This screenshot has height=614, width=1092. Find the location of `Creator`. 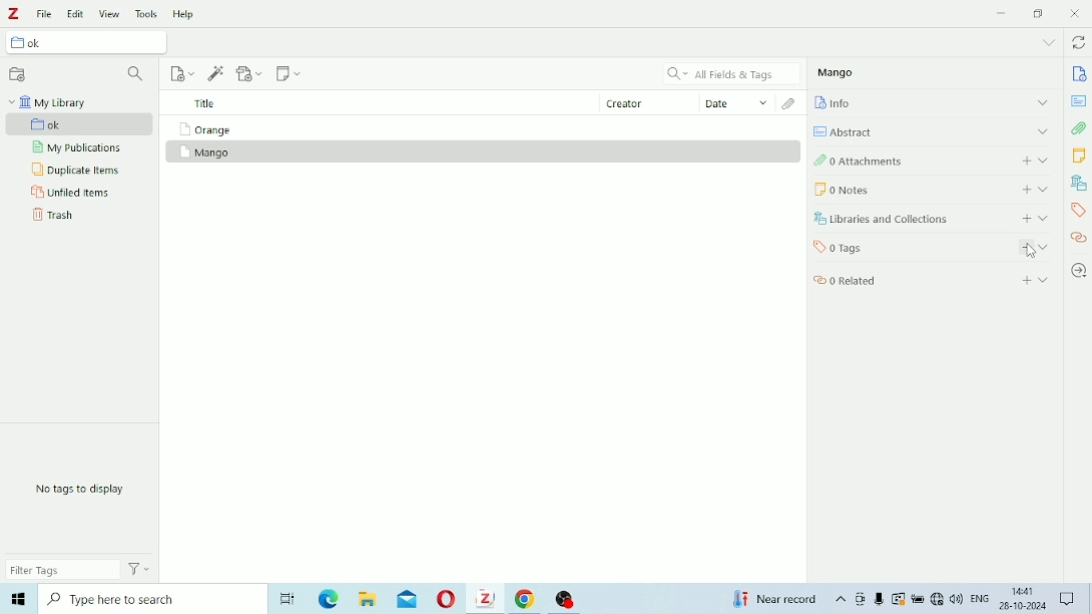

Creator is located at coordinates (649, 101).